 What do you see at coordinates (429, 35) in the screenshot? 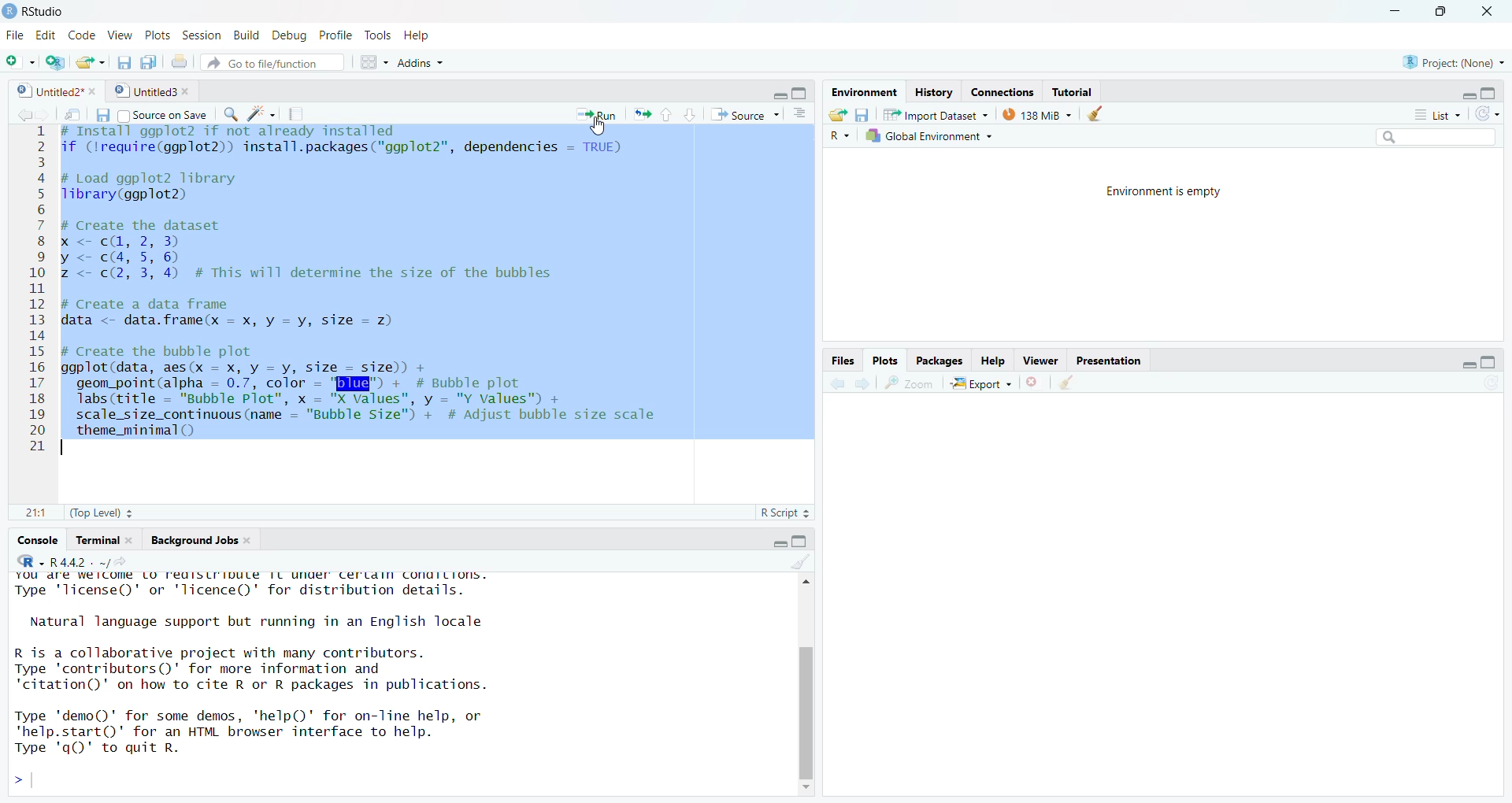
I see `Help` at bounding box center [429, 35].